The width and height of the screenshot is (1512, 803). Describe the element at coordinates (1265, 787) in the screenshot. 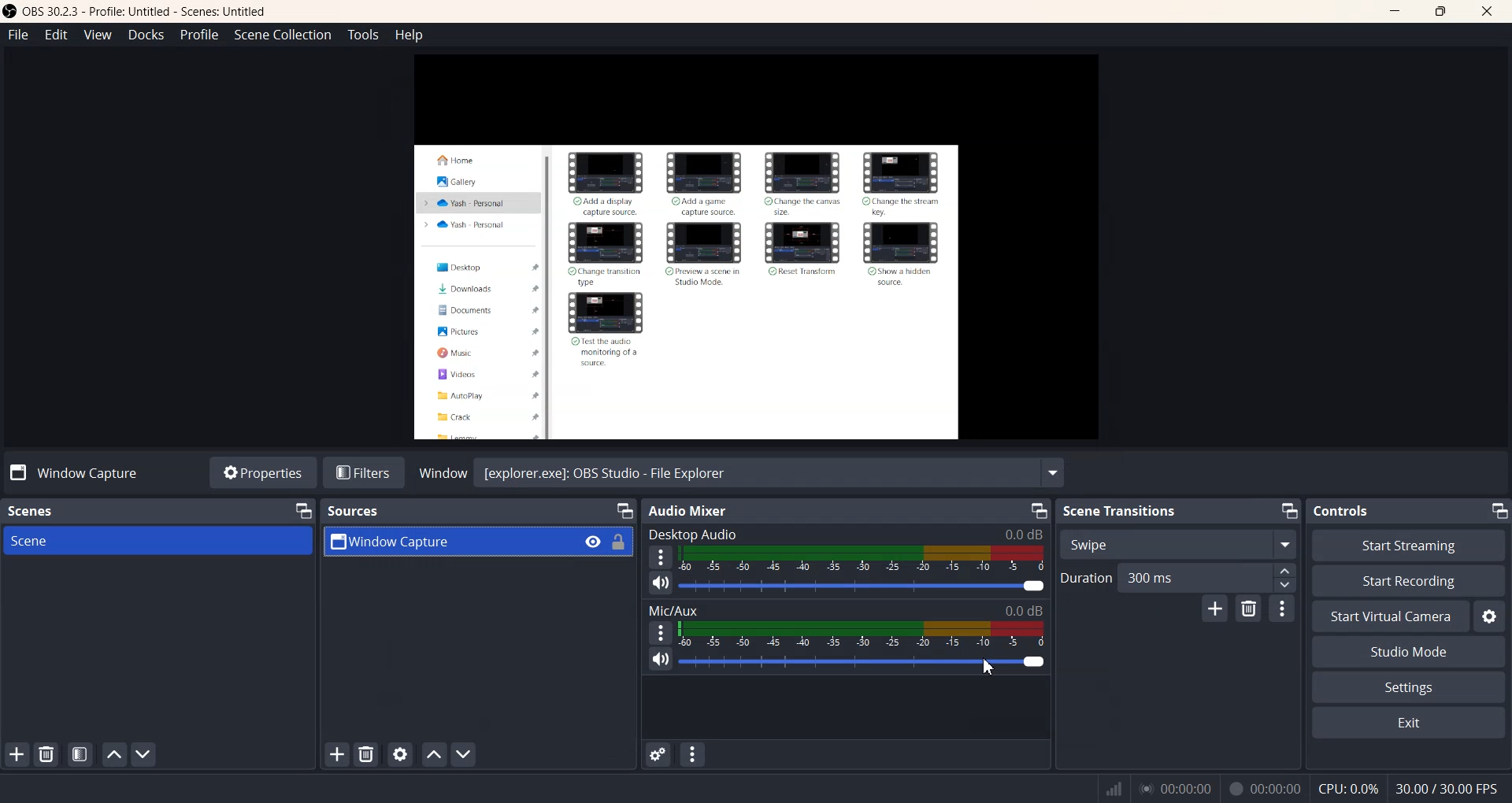

I see `00:00:00` at that location.